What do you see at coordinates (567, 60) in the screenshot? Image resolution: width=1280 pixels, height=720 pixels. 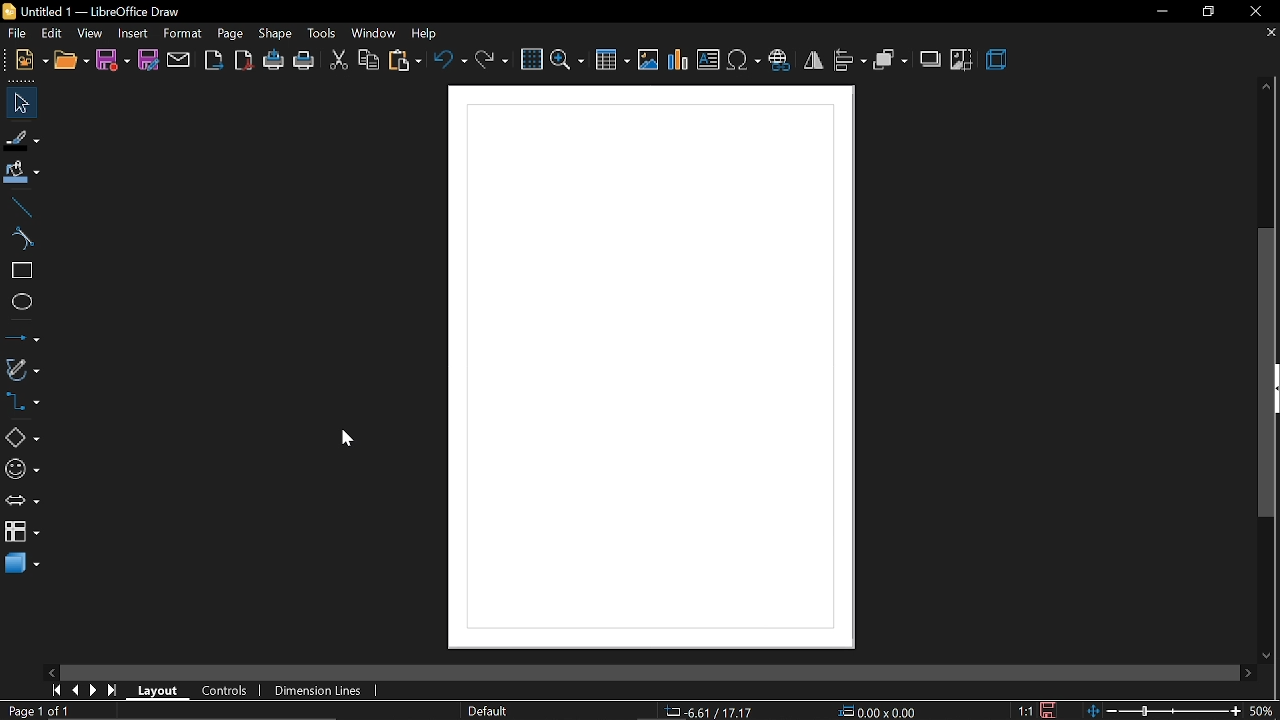 I see `zoom` at bounding box center [567, 60].